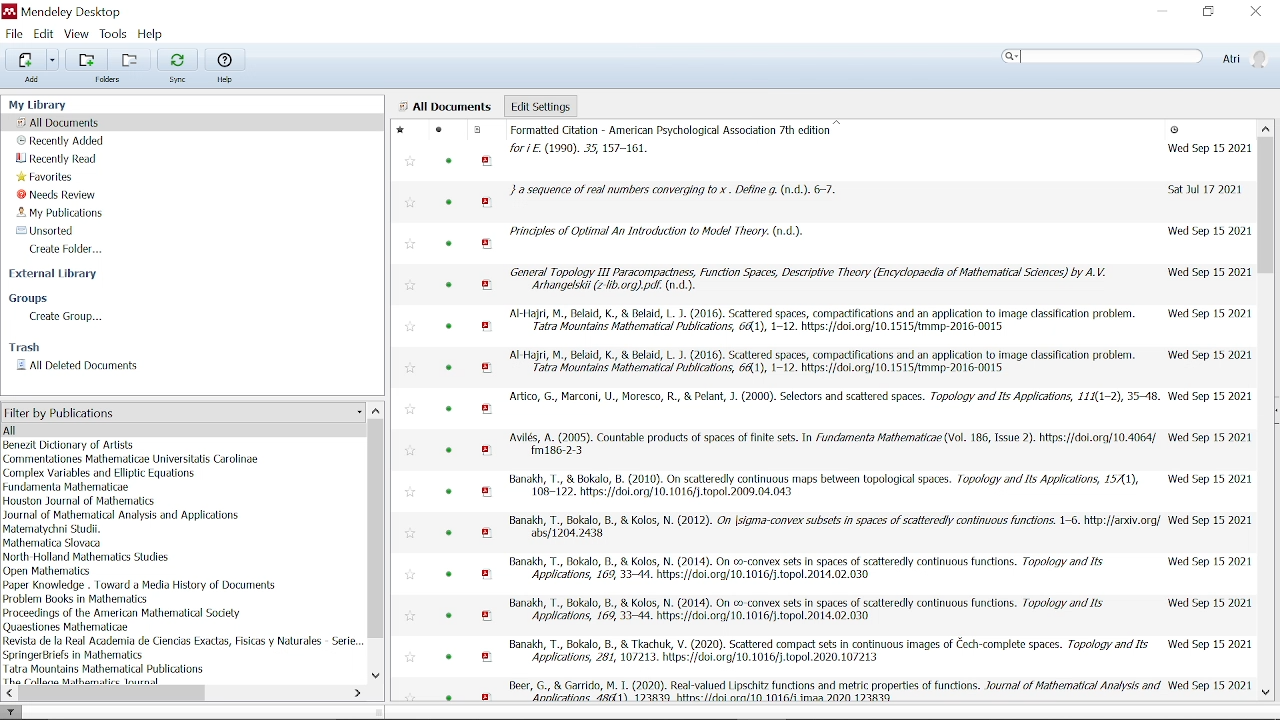 Image resolution: width=1280 pixels, height=720 pixels. Describe the element at coordinates (412, 328) in the screenshot. I see `favourite` at that location.